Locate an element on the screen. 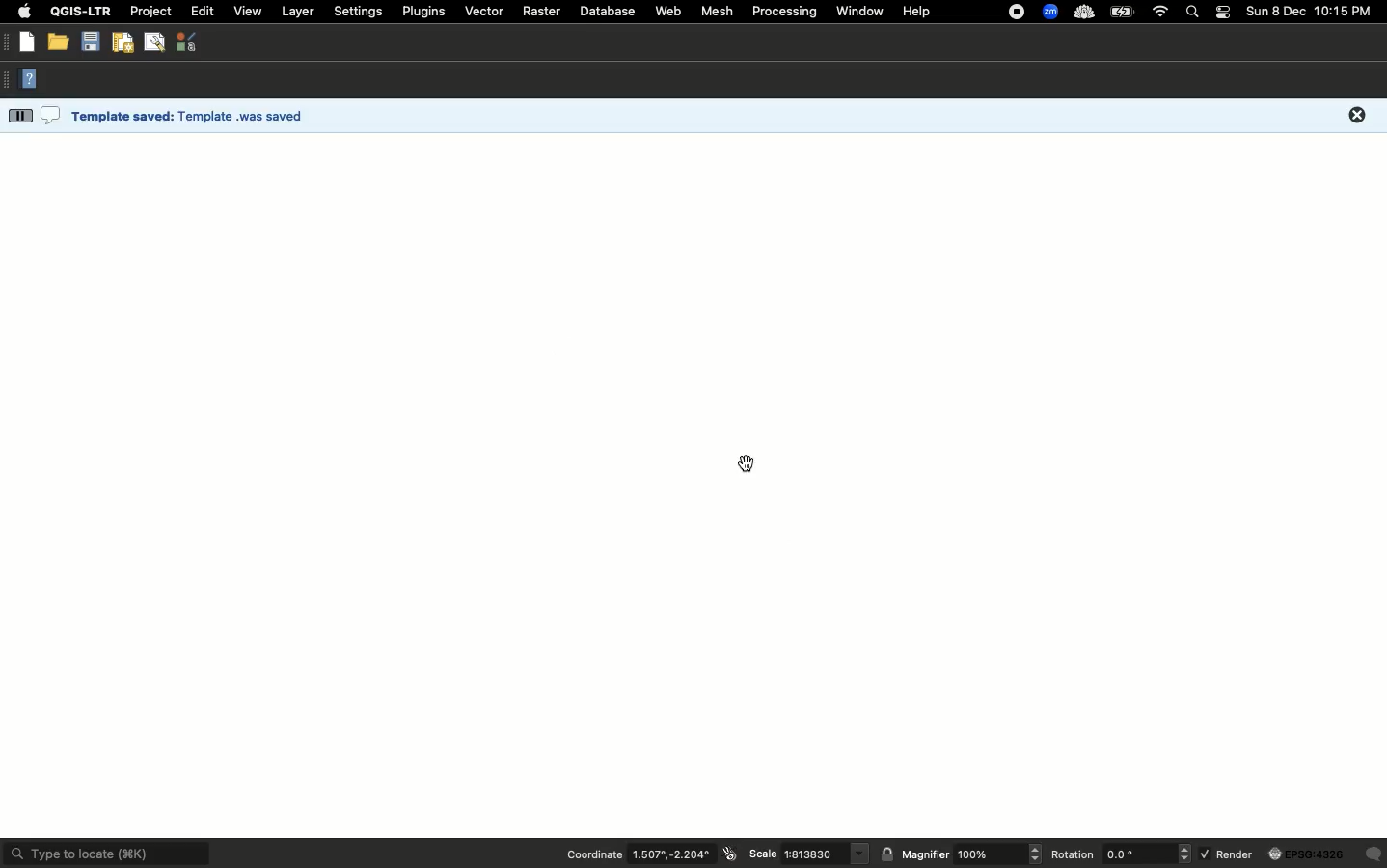 The width and height of the screenshot is (1387, 868). Web is located at coordinates (669, 10).